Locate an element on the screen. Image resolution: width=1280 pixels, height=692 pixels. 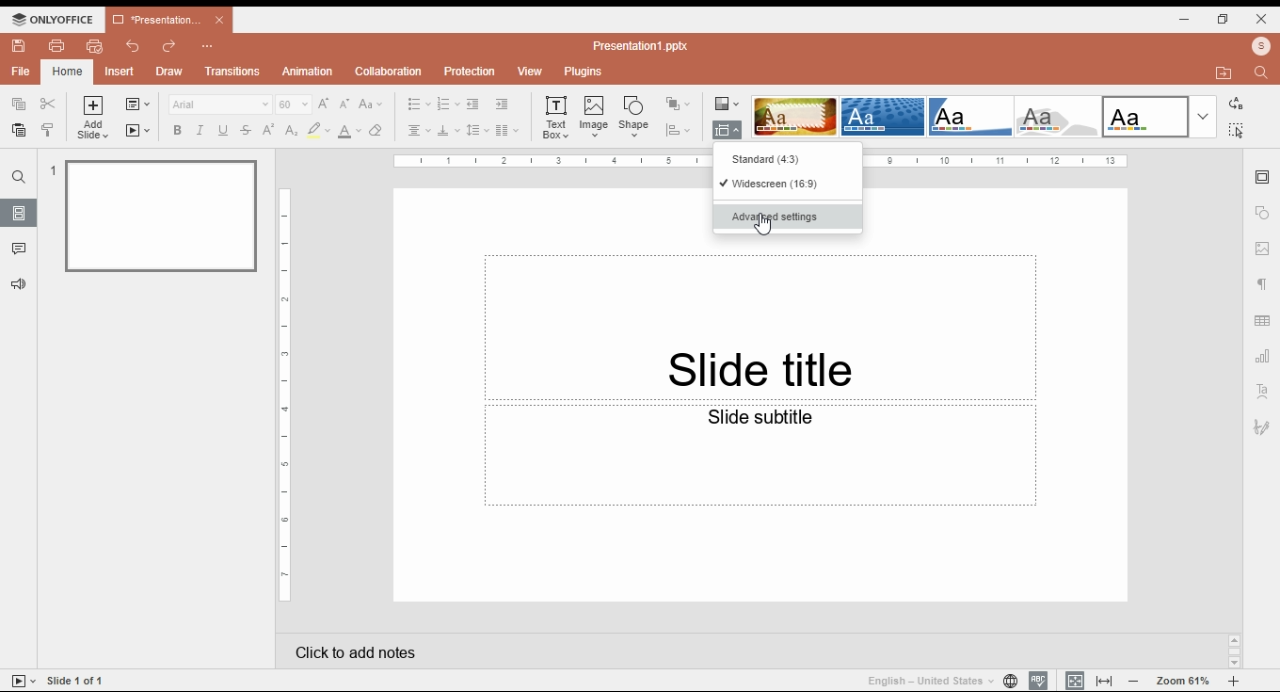
collaboration is located at coordinates (388, 71).